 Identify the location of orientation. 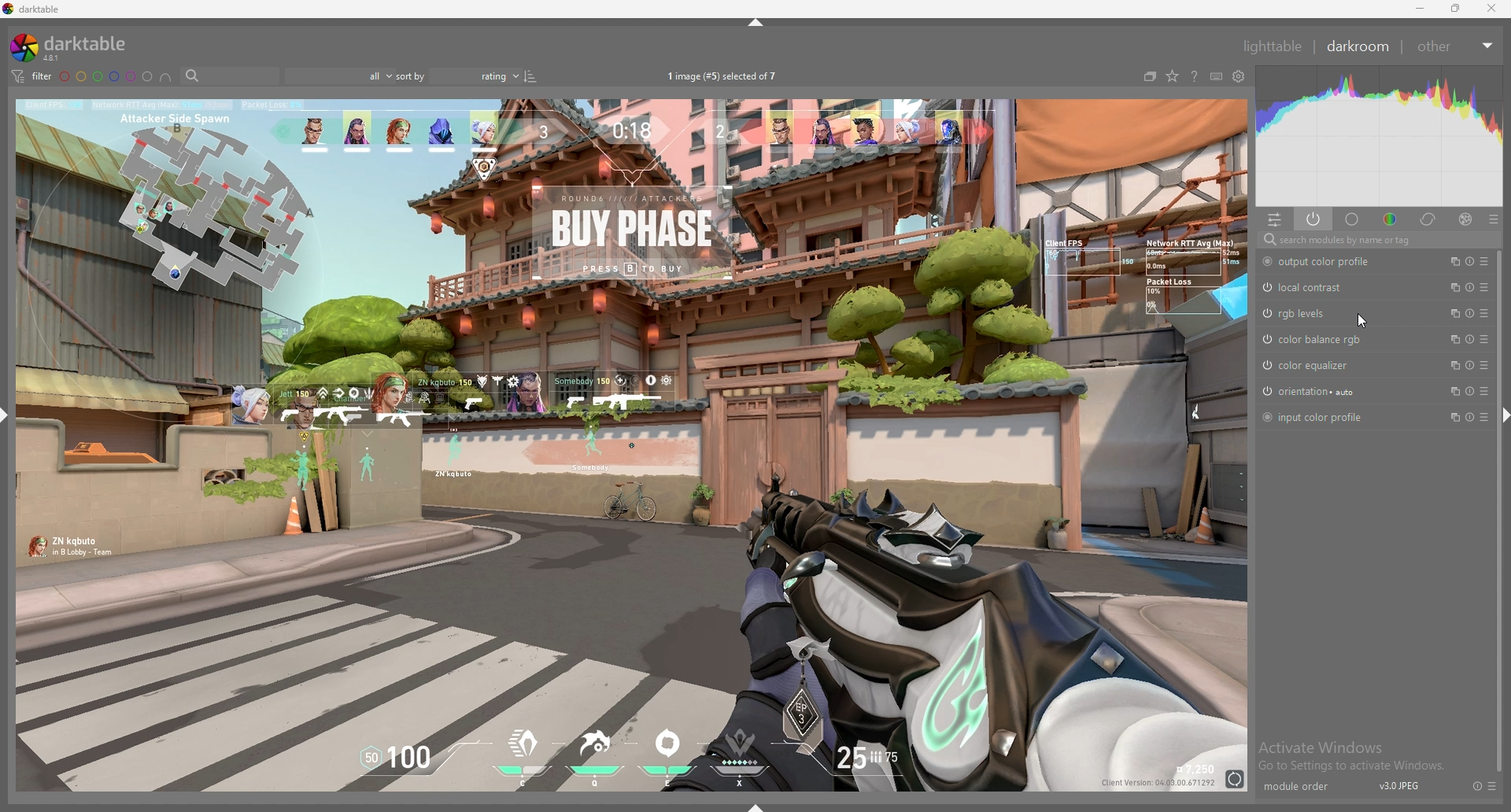
(1317, 391).